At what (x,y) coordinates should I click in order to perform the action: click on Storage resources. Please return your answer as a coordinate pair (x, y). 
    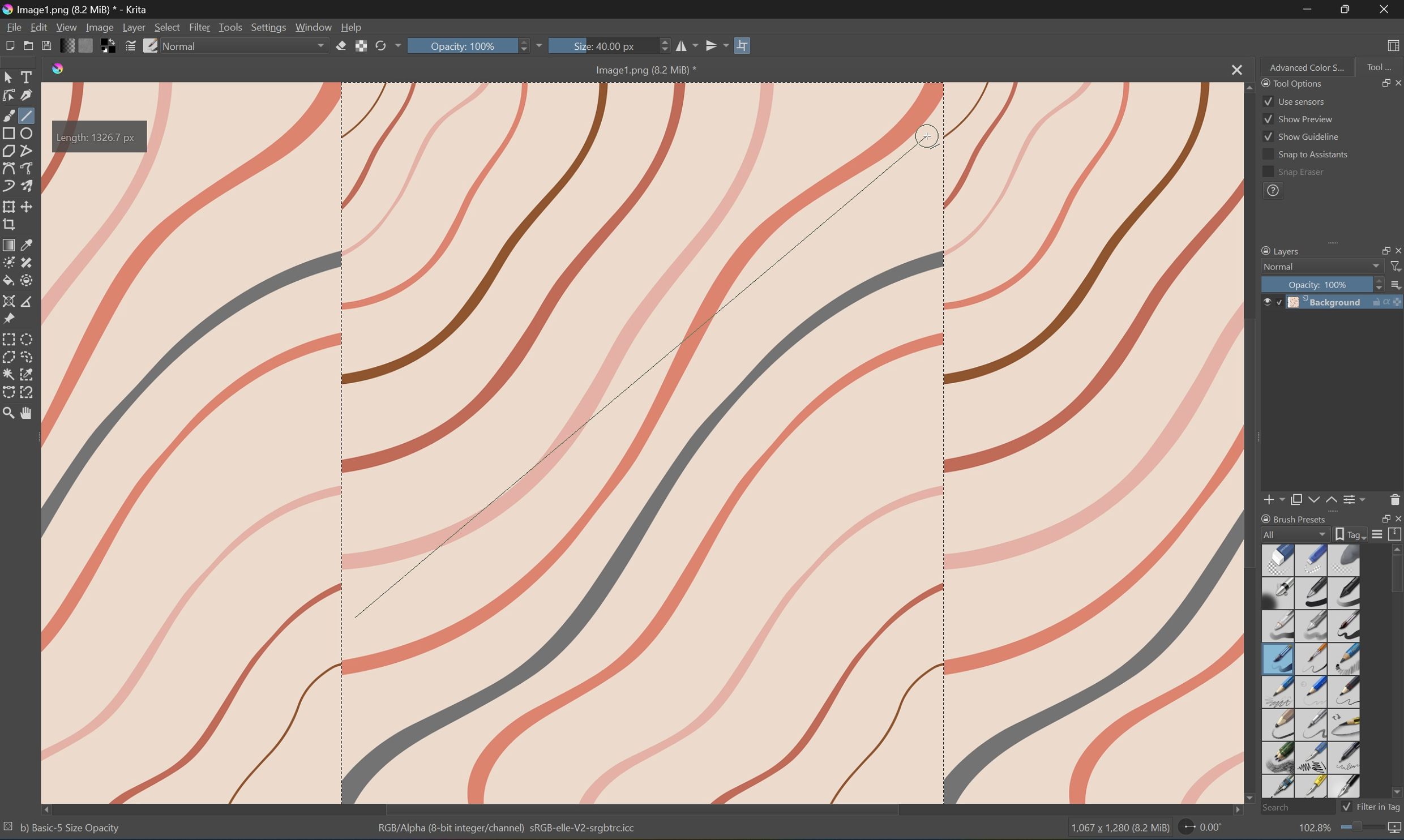
    Looking at the image, I should click on (1396, 534).